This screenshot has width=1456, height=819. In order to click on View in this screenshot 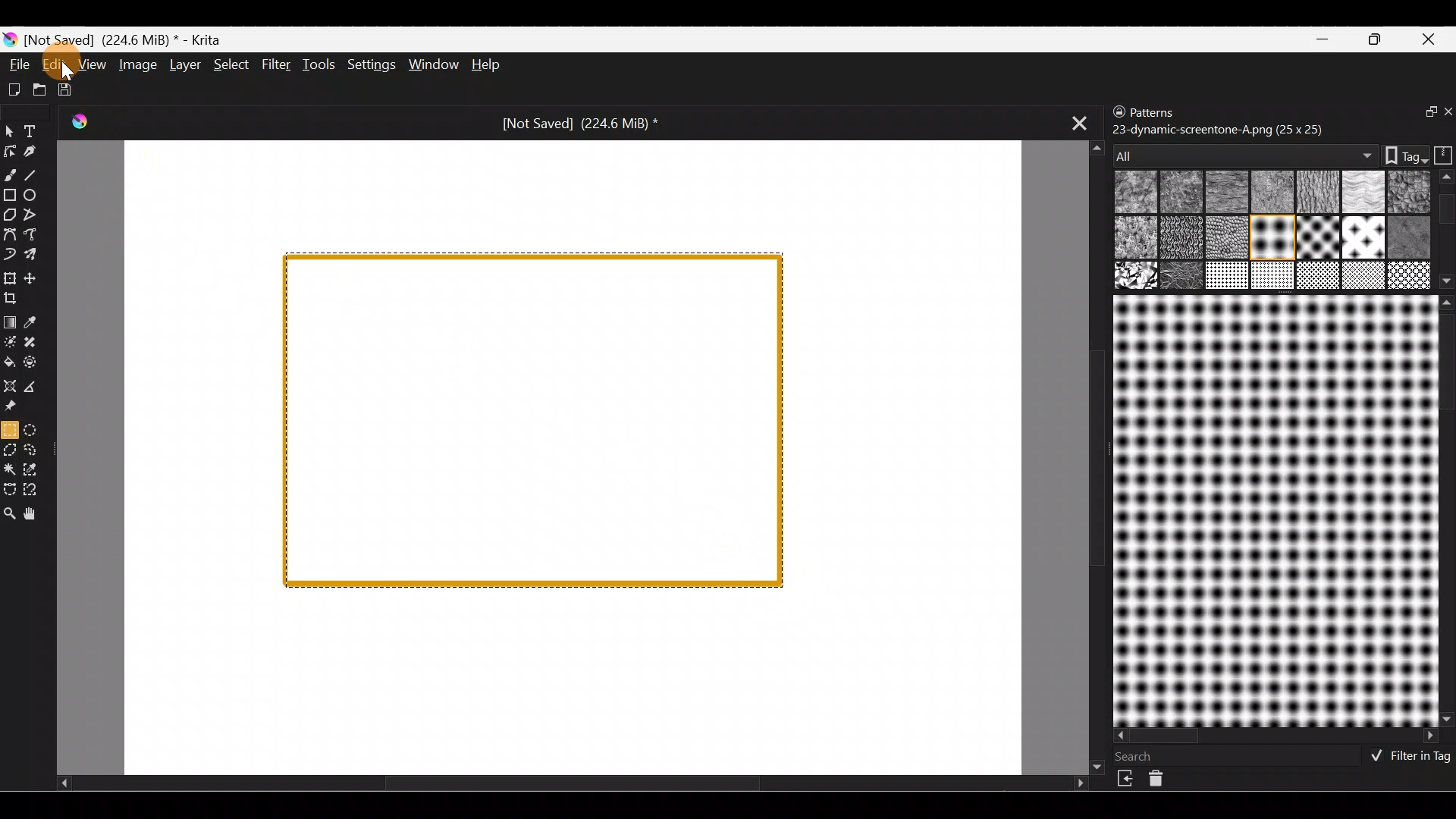, I will do `click(92, 63)`.